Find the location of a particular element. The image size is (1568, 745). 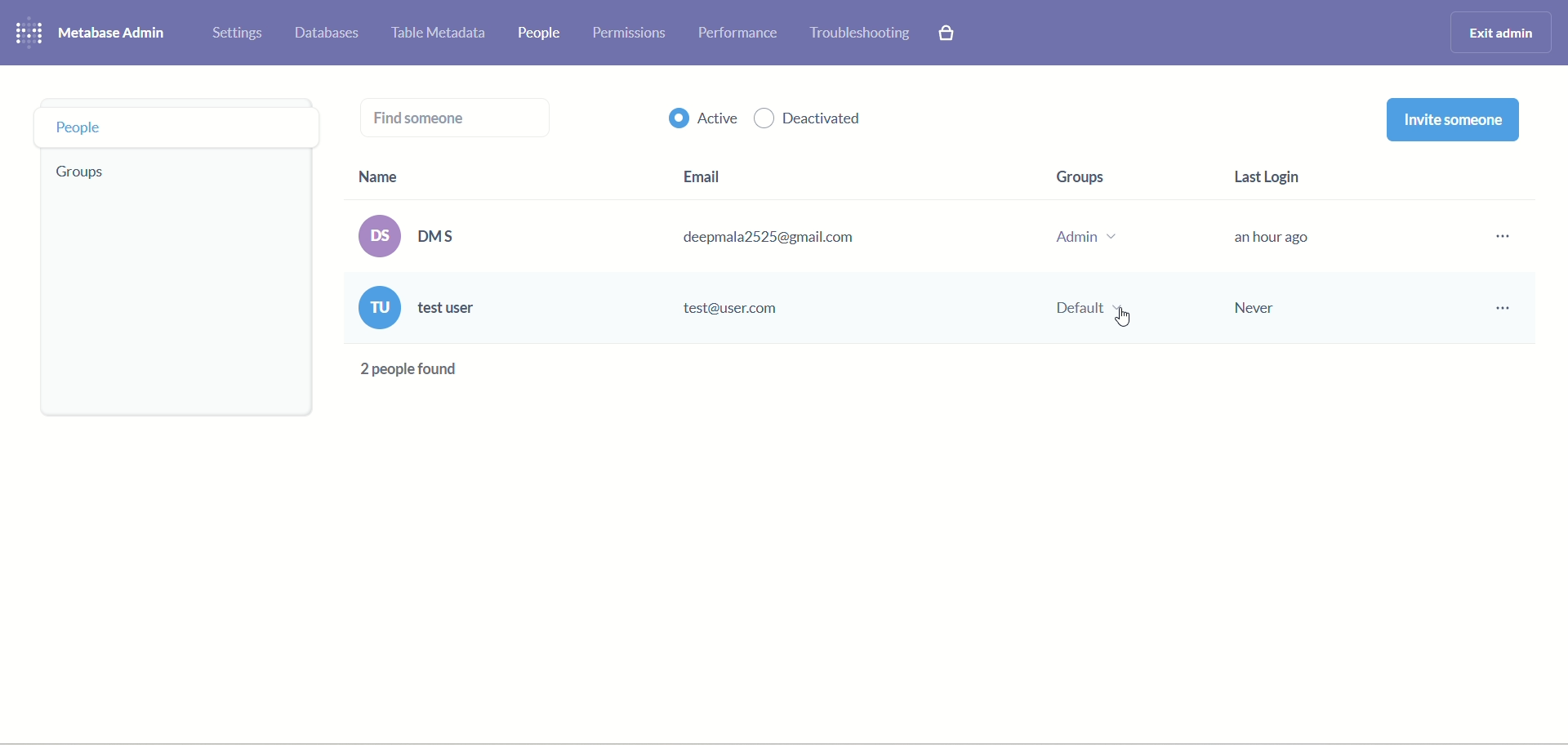

group is located at coordinates (1085, 252).